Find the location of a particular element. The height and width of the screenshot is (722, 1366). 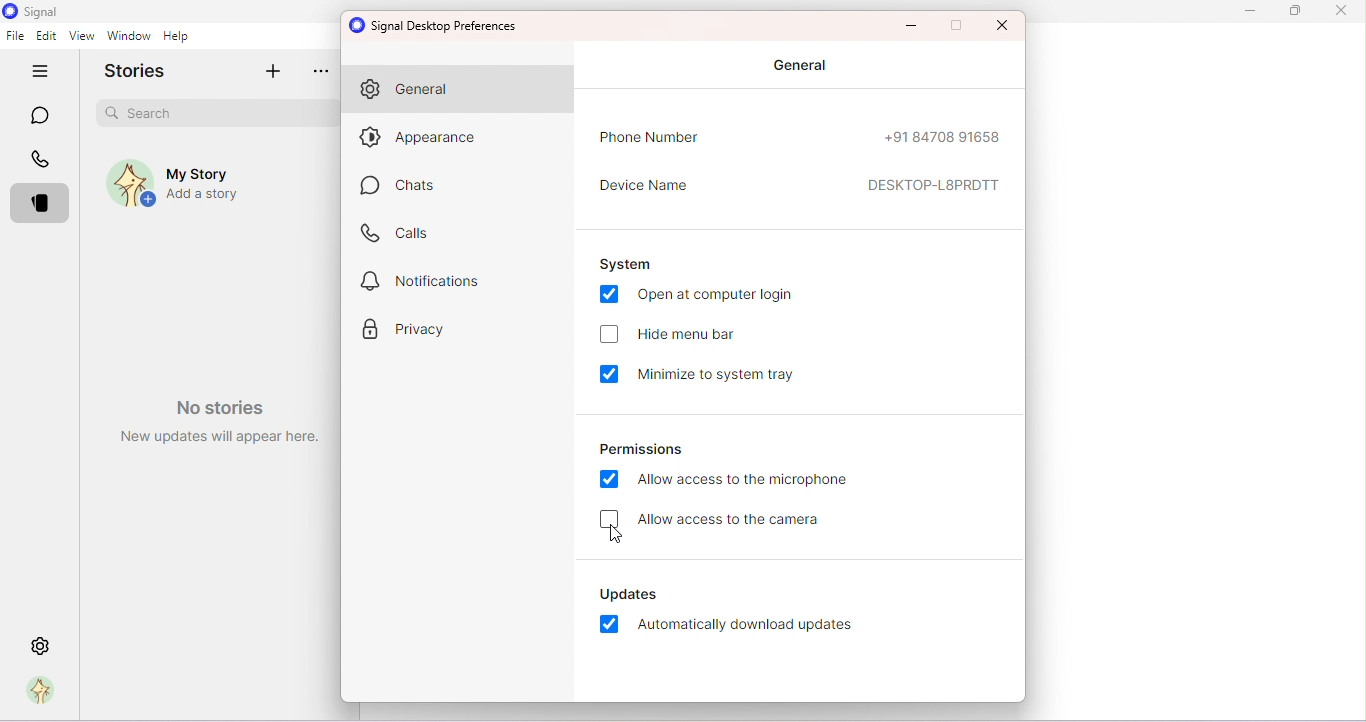

Maximize is located at coordinates (1297, 12).